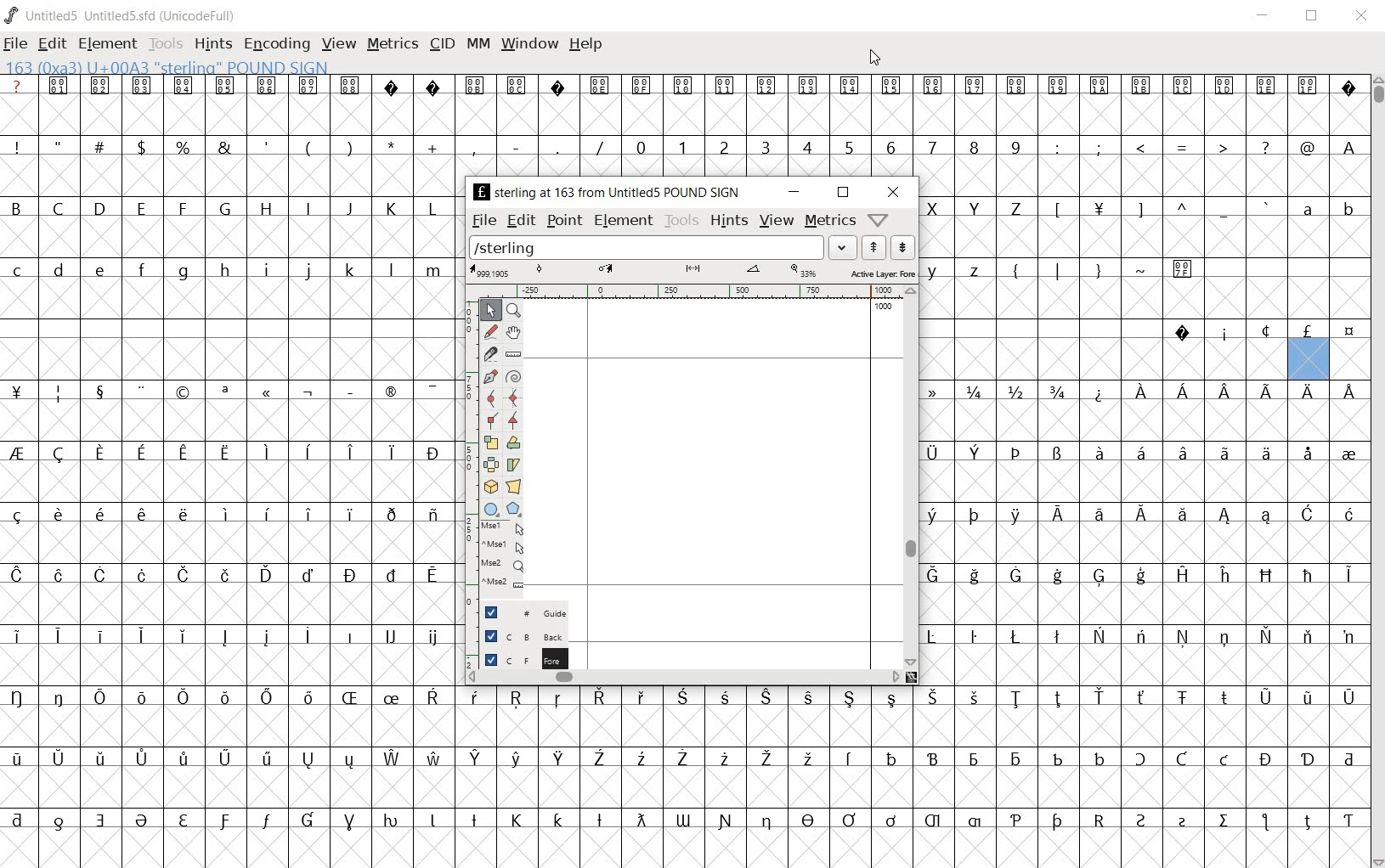 Image resolution: width=1385 pixels, height=868 pixels. Describe the element at coordinates (891, 699) in the screenshot. I see `Symbol` at that location.